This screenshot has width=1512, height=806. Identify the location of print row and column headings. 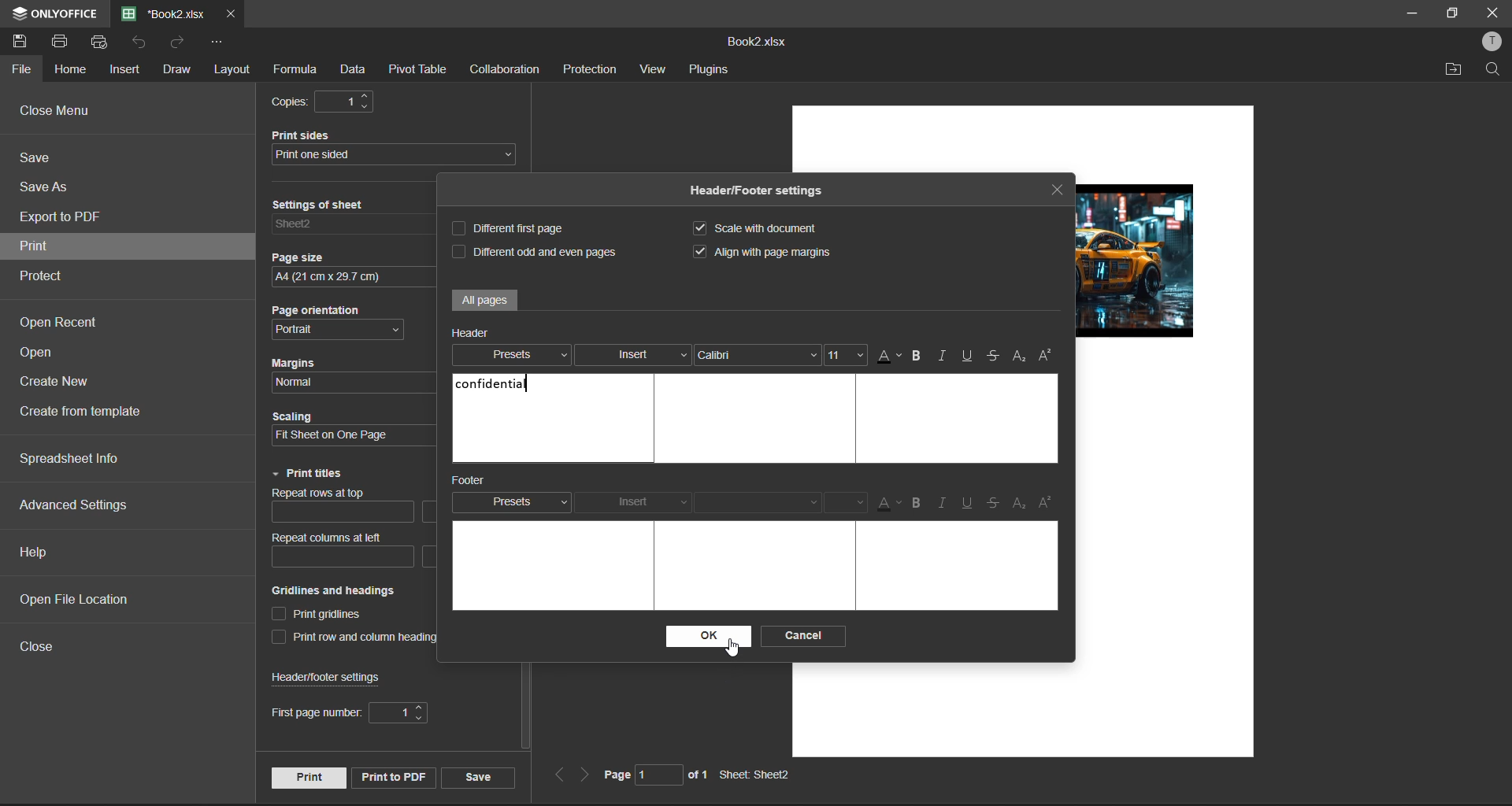
(365, 638).